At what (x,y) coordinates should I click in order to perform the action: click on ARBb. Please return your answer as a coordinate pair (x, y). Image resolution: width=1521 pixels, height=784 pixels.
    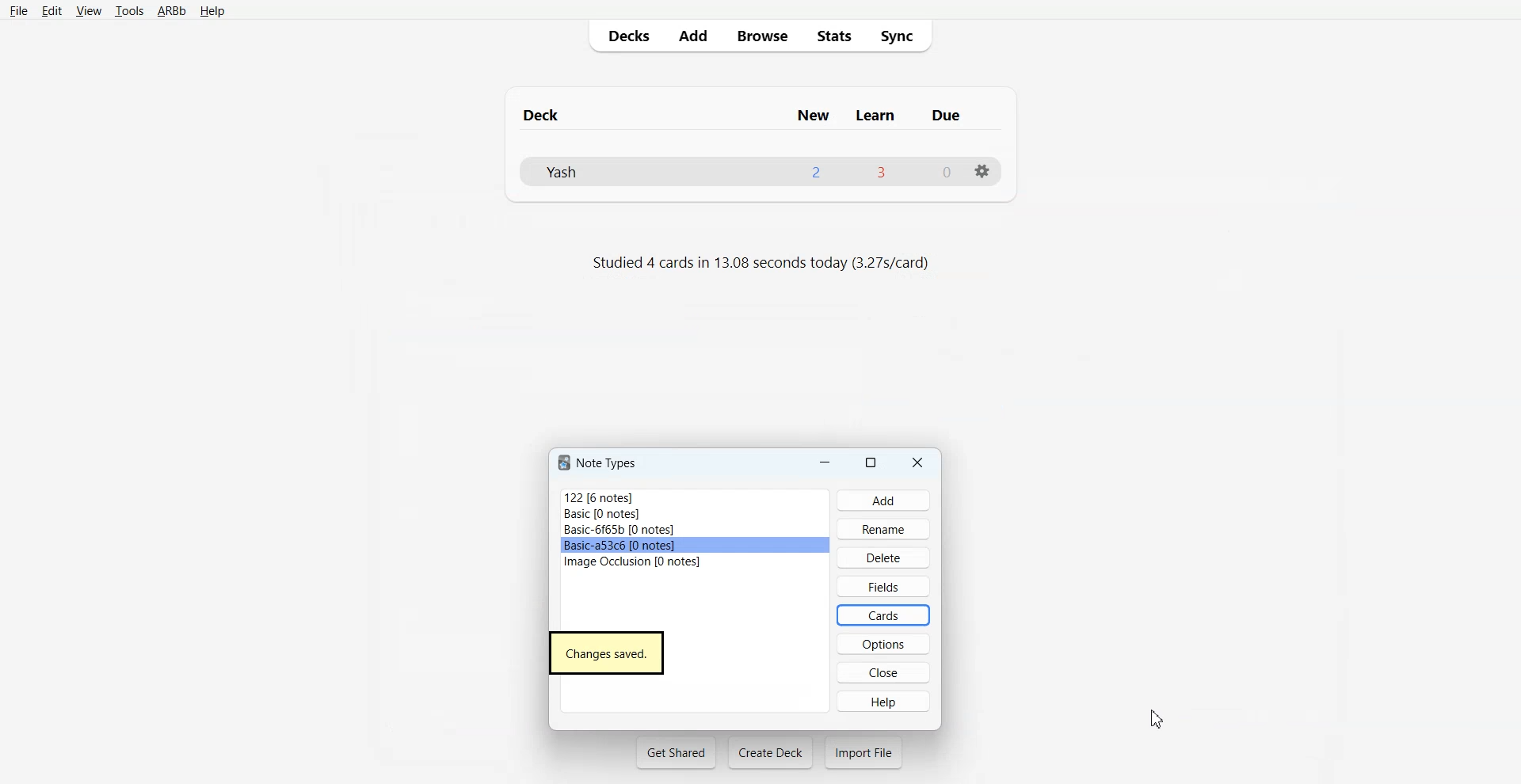
    Looking at the image, I should click on (170, 12).